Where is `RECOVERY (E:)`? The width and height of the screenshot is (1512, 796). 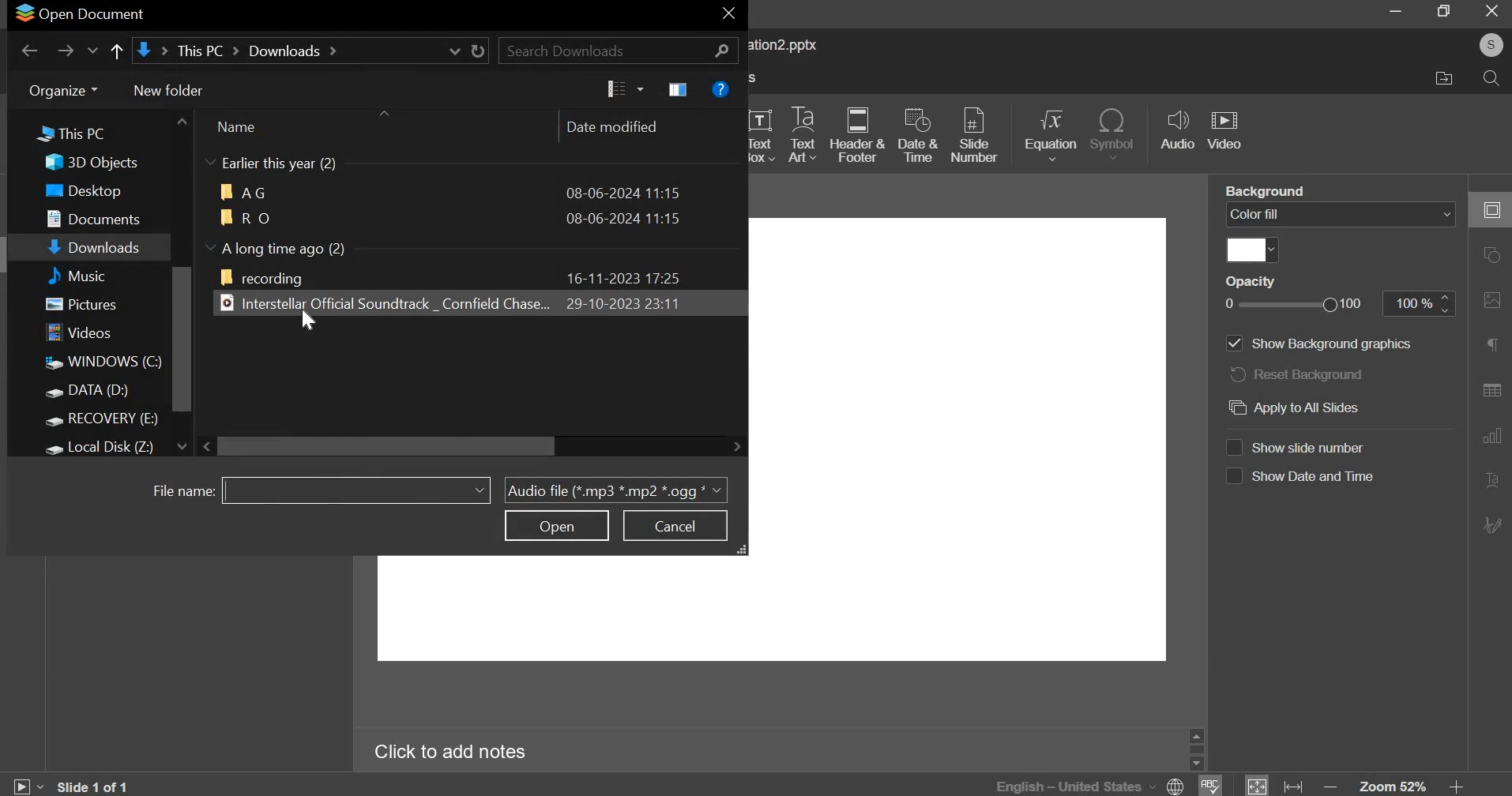 RECOVERY (E:) is located at coordinates (101, 419).